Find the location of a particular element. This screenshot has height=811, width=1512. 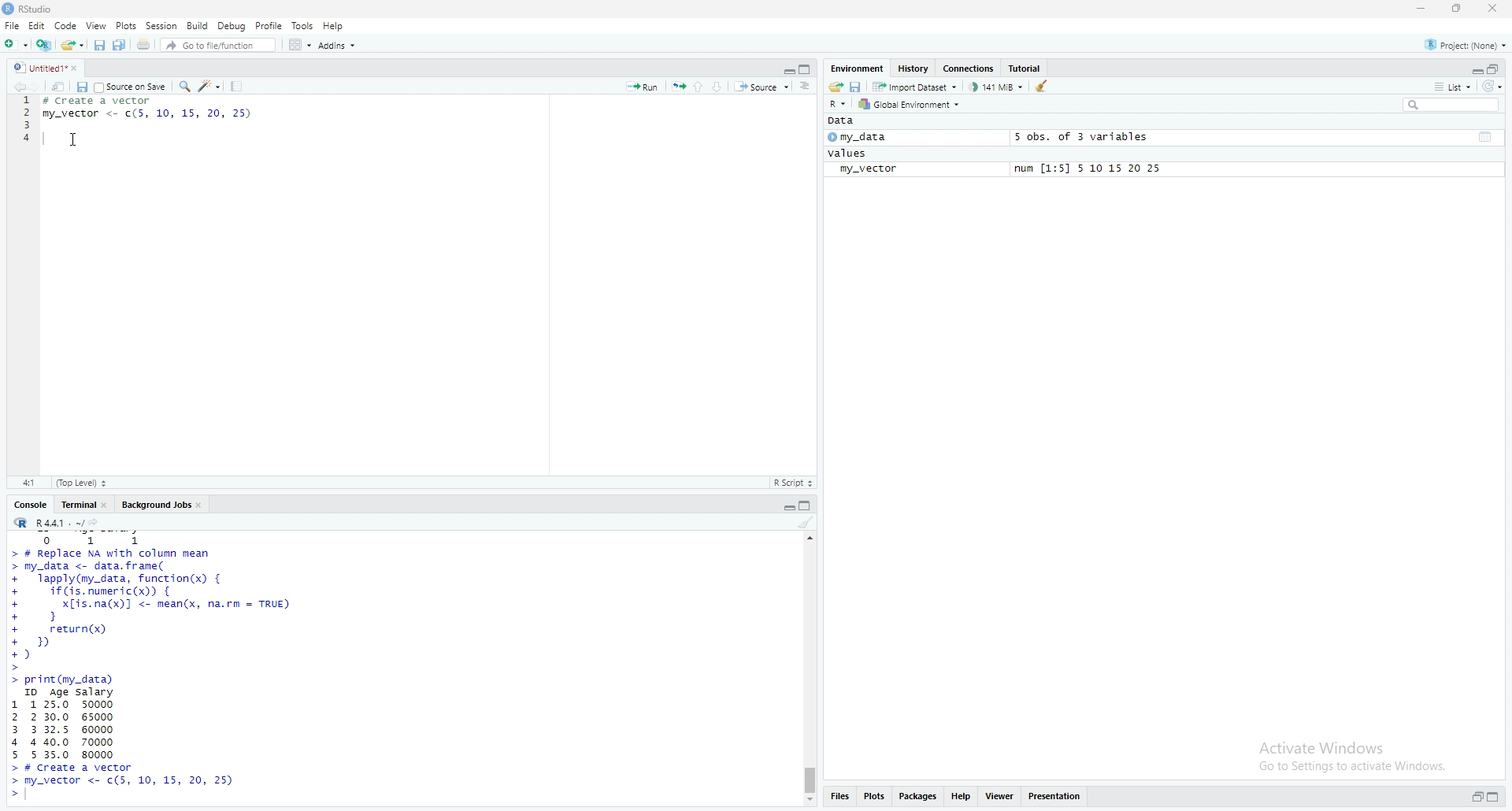

expand is located at coordinates (1475, 69).